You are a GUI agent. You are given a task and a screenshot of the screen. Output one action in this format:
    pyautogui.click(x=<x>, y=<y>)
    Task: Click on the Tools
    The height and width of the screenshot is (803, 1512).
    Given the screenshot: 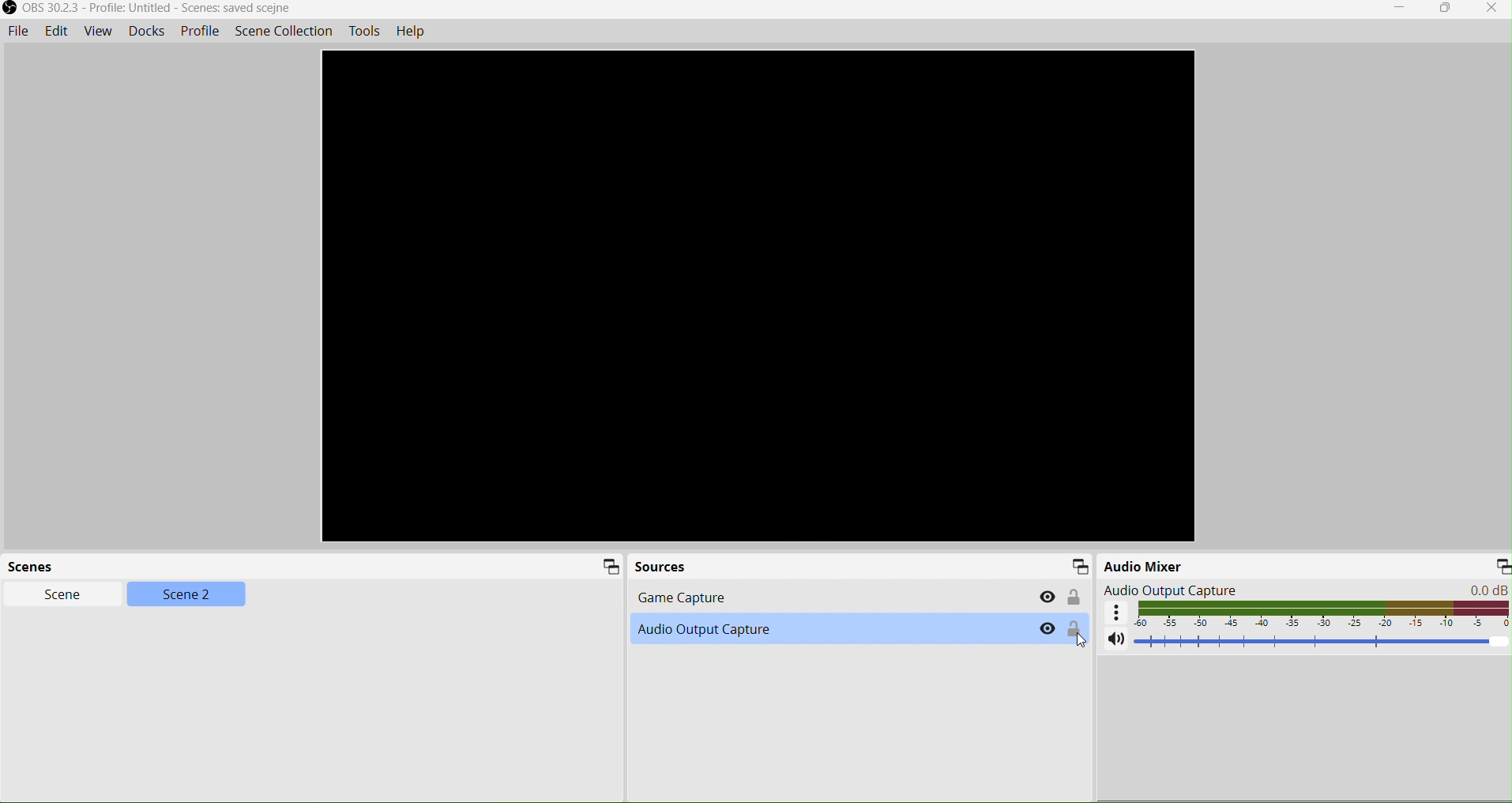 What is the action you would take?
    pyautogui.click(x=367, y=32)
    